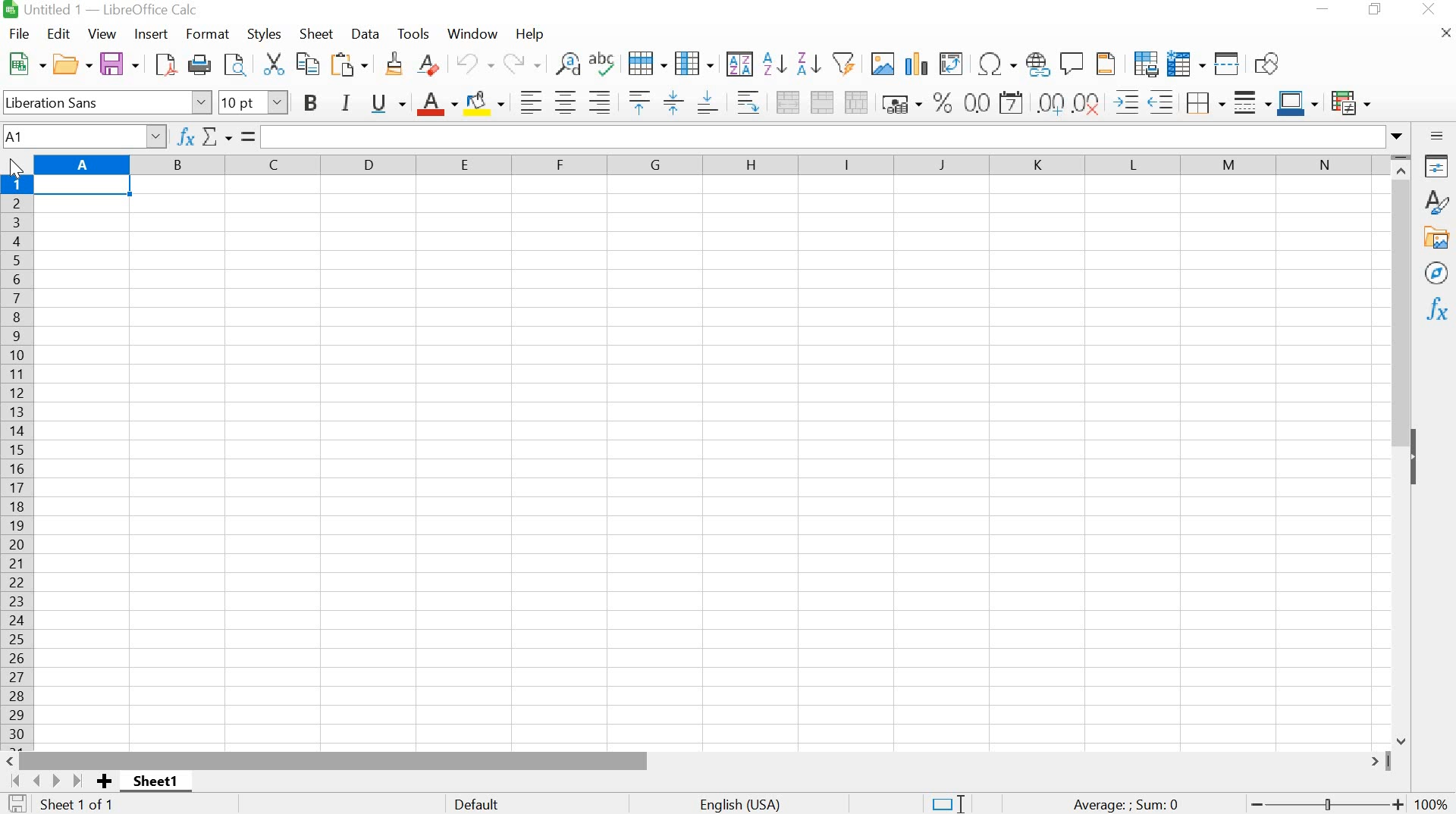  What do you see at coordinates (473, 64) in the screenshot?
I see `UNDO` at bounding box center [473, 64].